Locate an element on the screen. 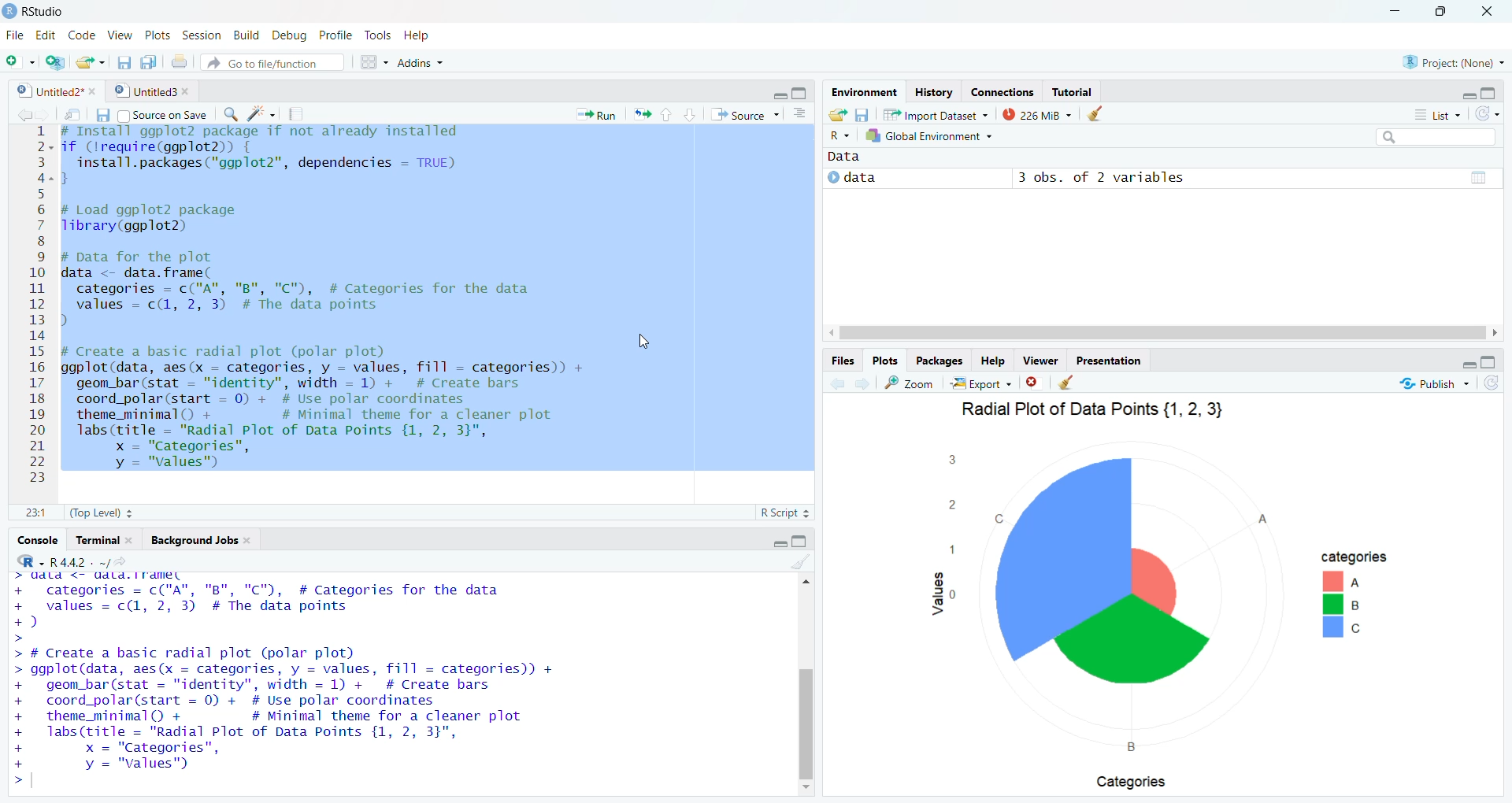 This screenshot has height=803, width=1512. Untitled3 is located at coordinates (155, 92).